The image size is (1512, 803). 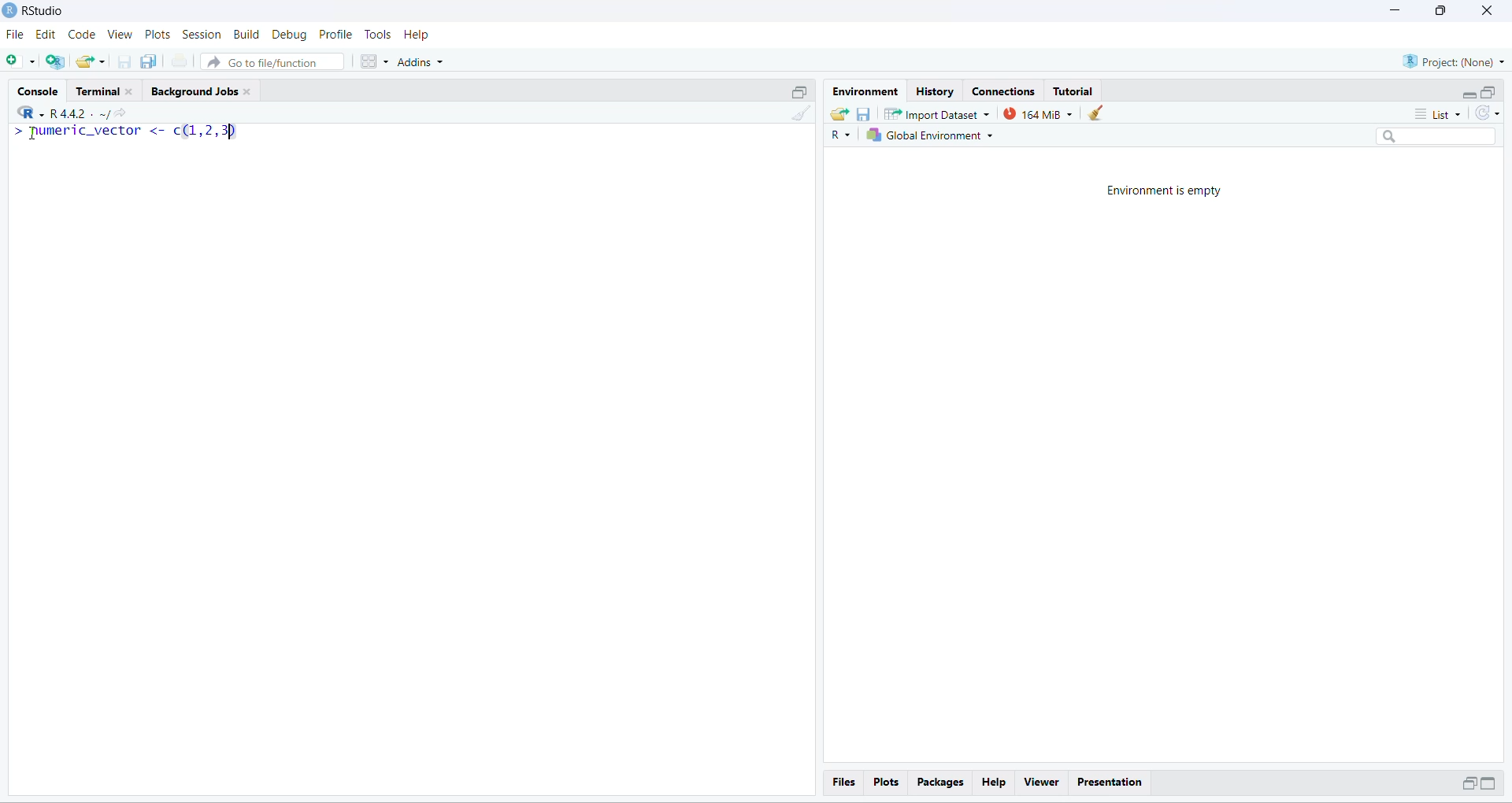 What do you see at coordinates (1098, 113) in the screenshot?
I see `clear` at bounding box center [1098, 113].